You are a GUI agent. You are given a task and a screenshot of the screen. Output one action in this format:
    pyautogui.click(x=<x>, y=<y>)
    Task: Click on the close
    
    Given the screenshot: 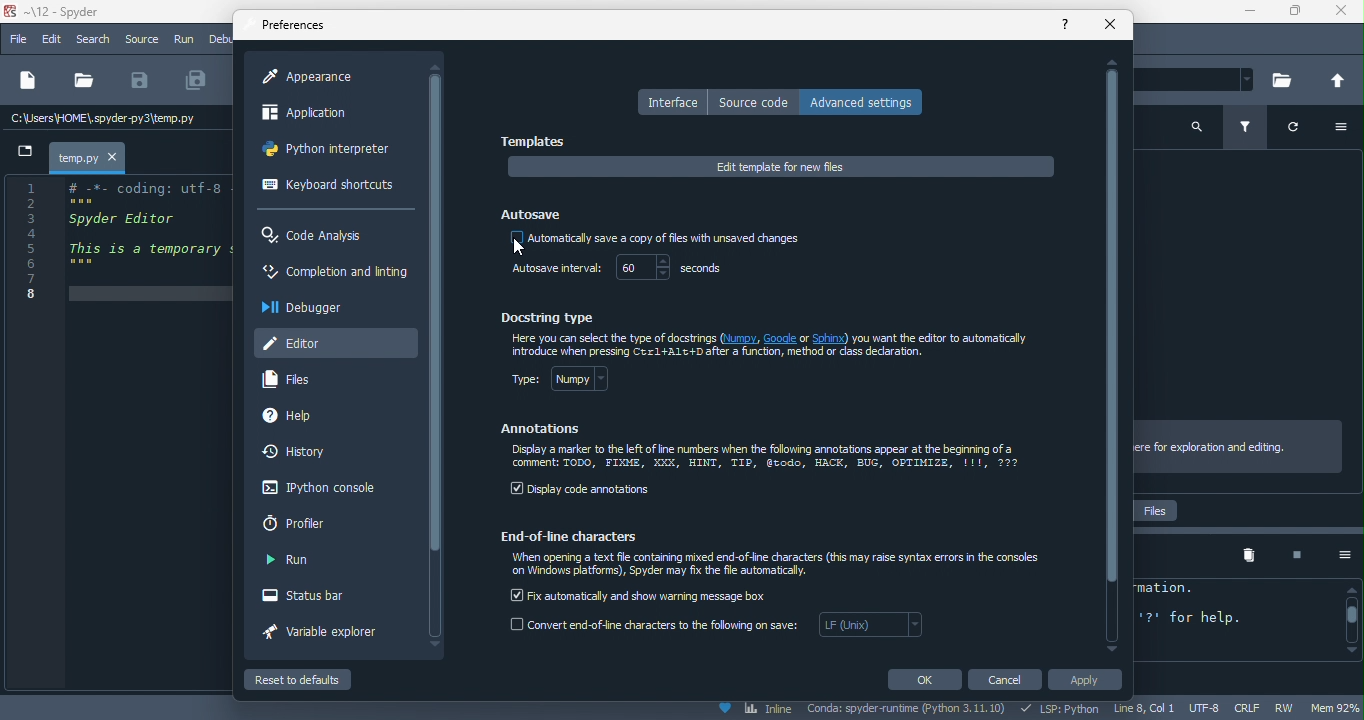 What is the action you would take?
    pyautogui.click(x=1341, y=14)
    